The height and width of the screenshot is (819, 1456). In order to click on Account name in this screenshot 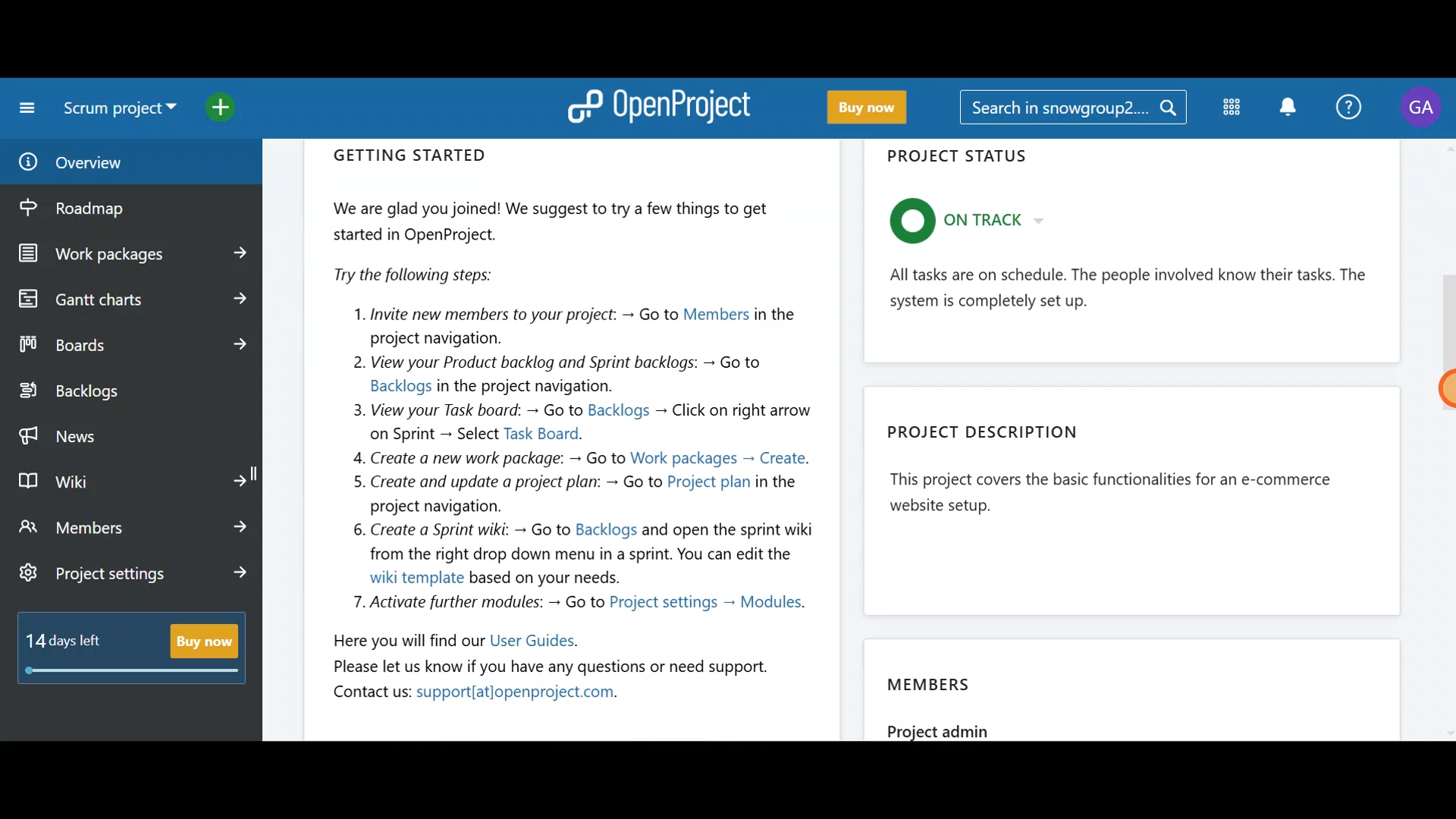, I will do `click(1424, 108)`.